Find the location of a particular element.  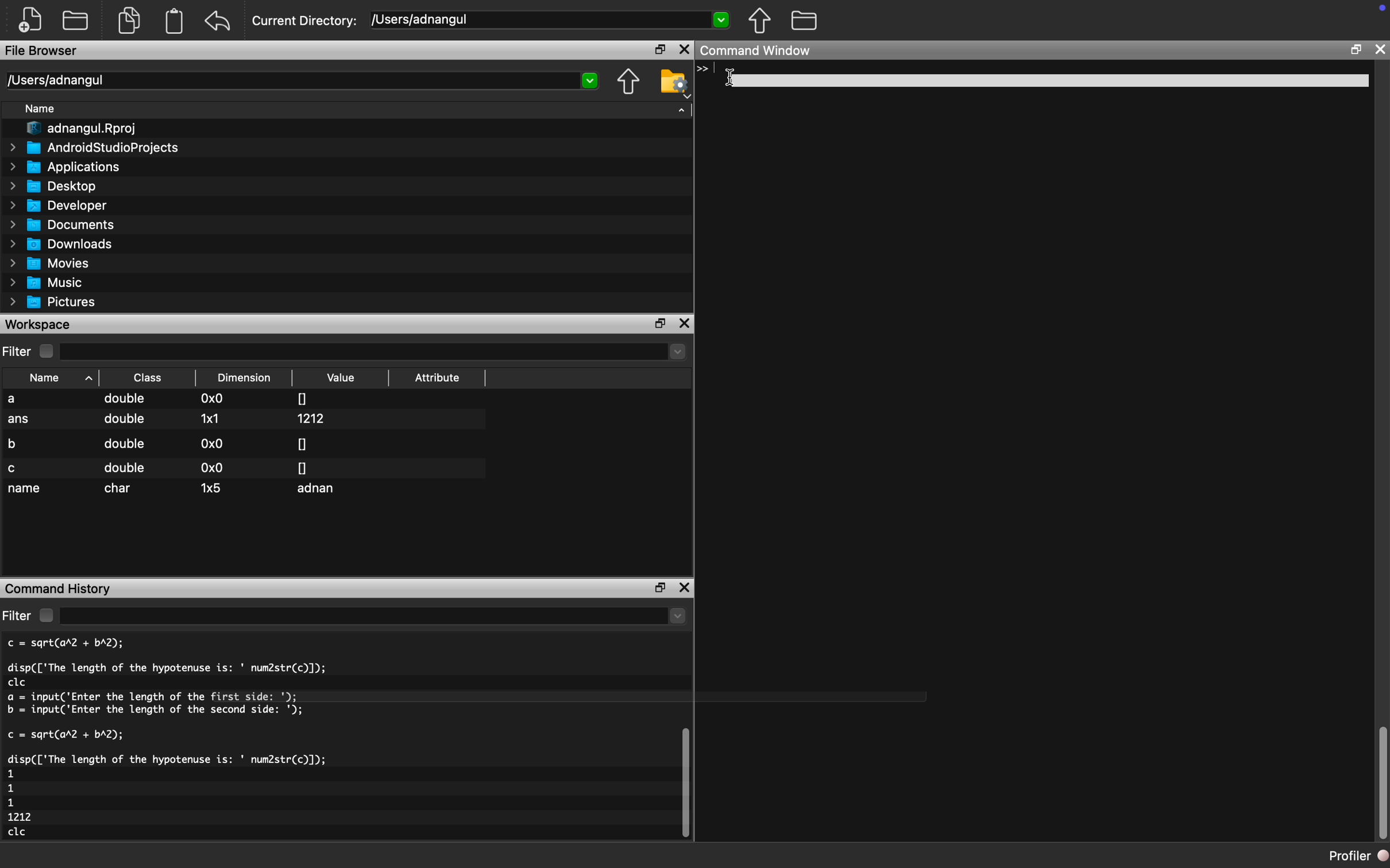

adnan is located at coordinates (320, 490).